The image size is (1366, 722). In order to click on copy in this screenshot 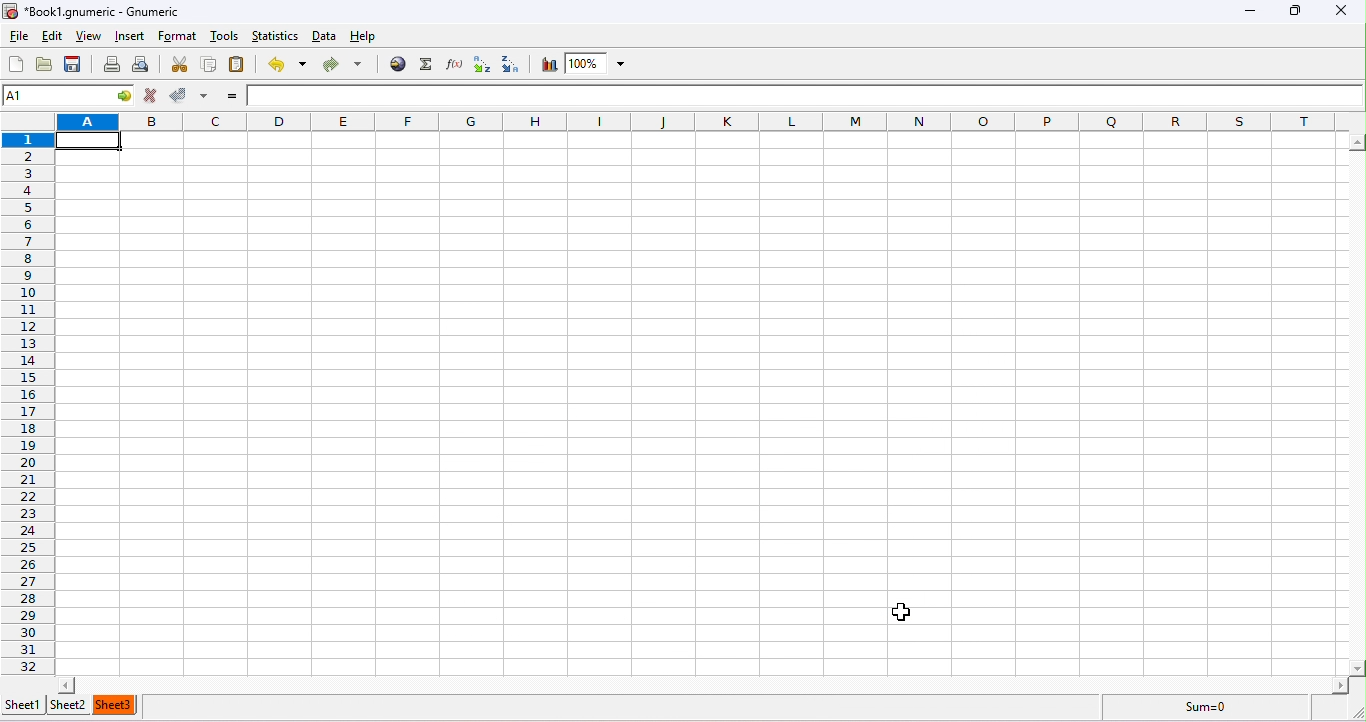, I will do `click(205, 66)`.